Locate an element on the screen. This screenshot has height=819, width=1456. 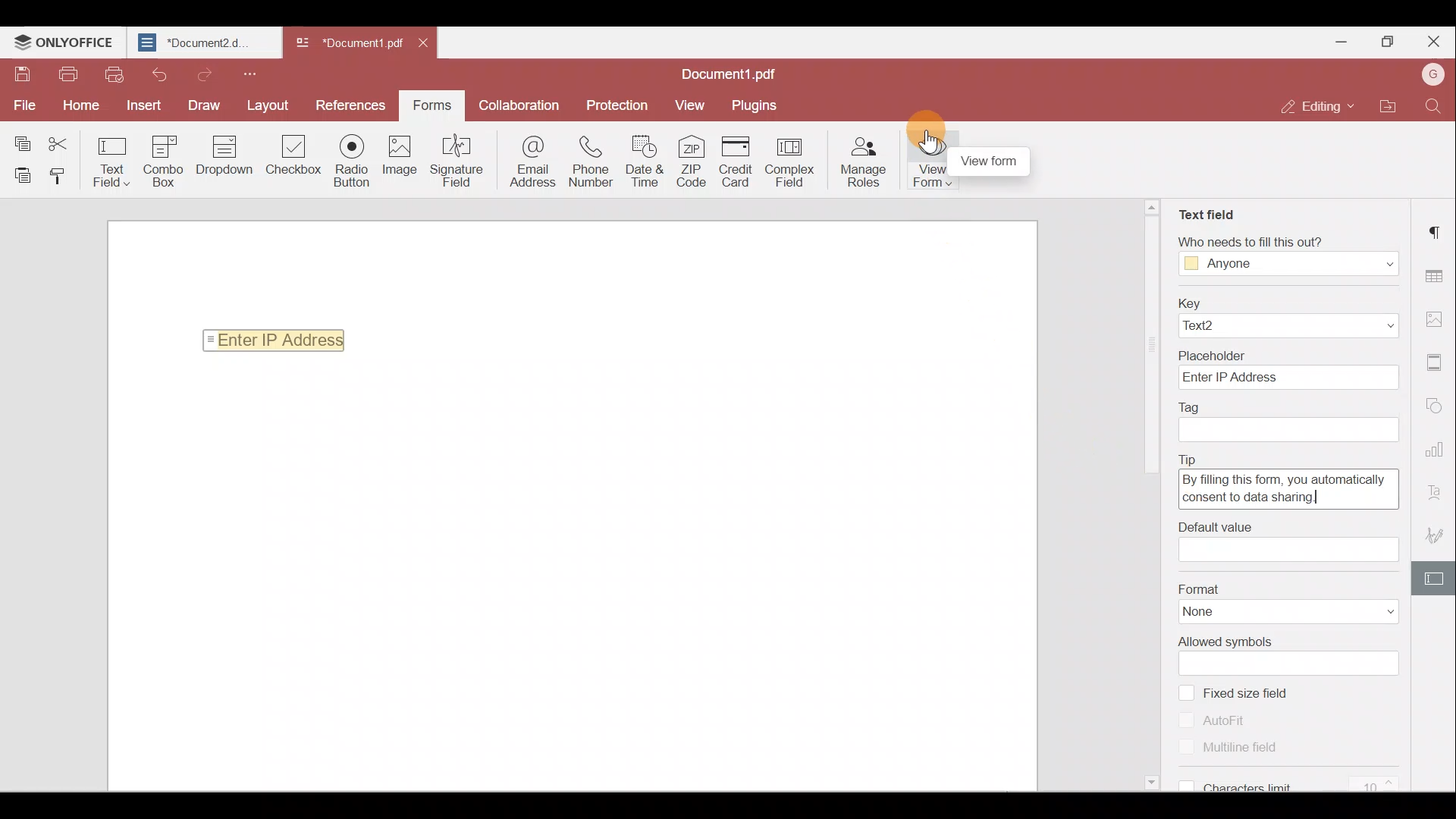
Cursor on tip is located at coordinates (1200, 484).